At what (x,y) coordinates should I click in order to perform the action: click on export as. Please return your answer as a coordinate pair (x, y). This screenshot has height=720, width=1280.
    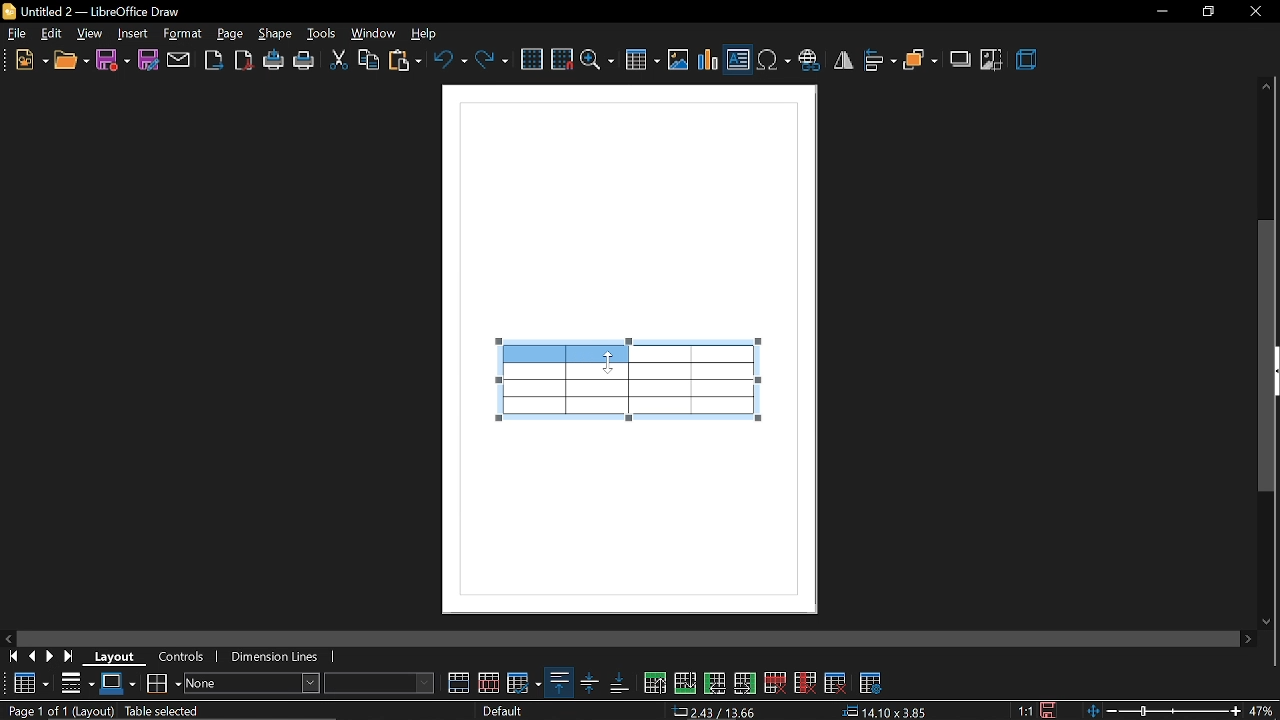
    Looking at the image, I should click on (214, 61).